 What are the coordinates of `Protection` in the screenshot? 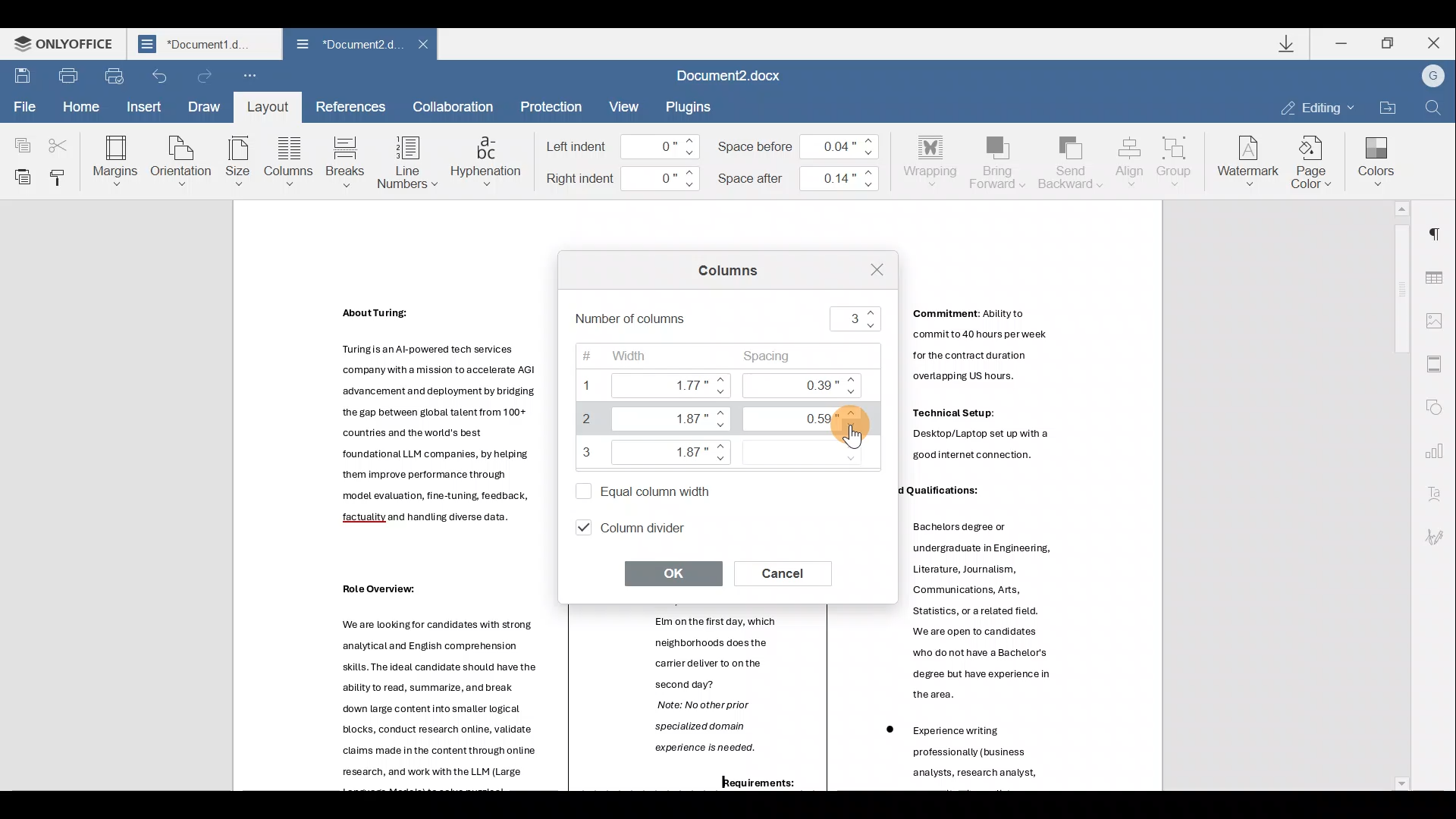 It's located at (550, 106).